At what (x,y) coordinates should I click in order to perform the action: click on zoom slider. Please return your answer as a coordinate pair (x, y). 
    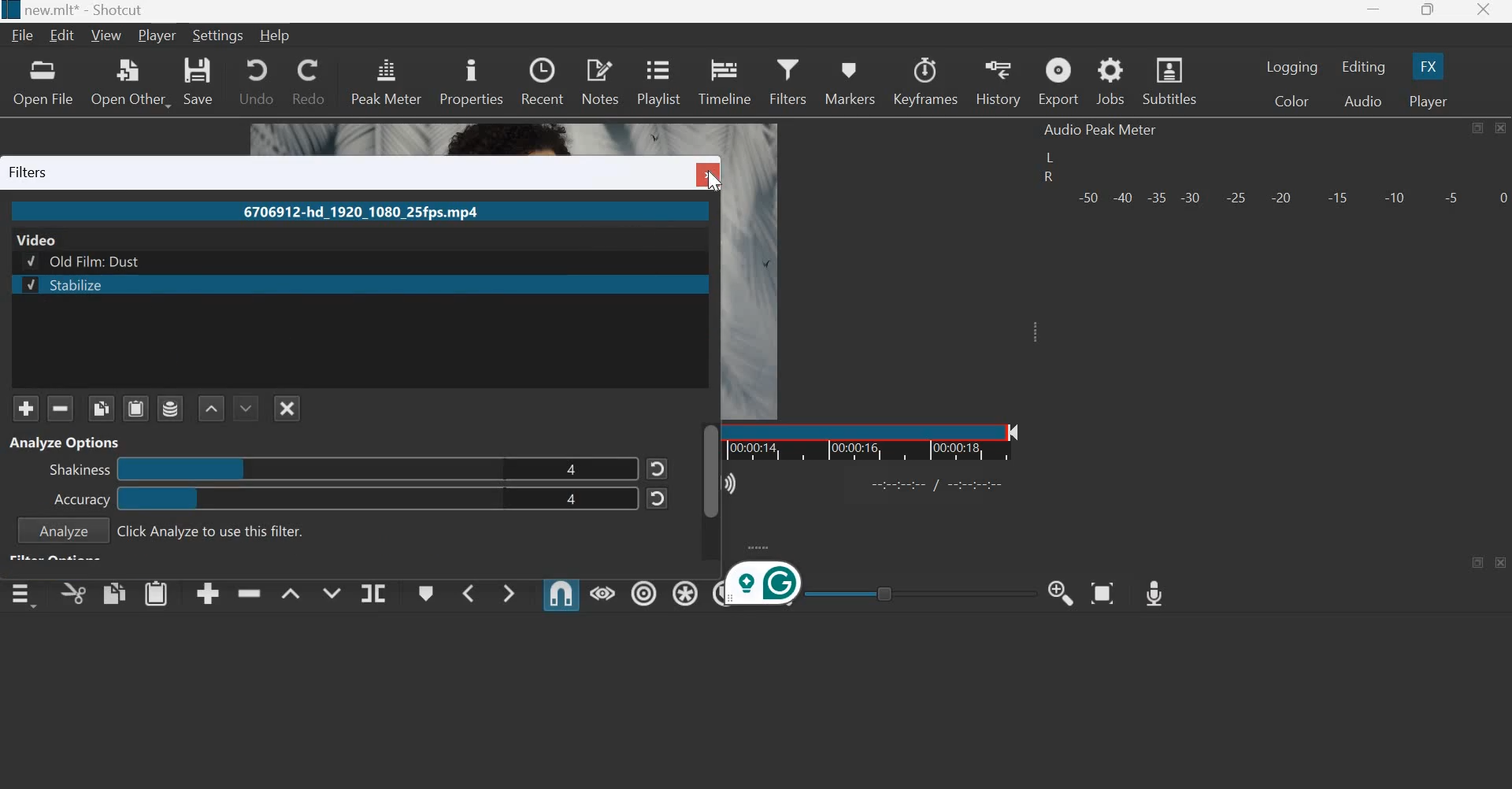
    Looking at the image, I should click on (913, 593).